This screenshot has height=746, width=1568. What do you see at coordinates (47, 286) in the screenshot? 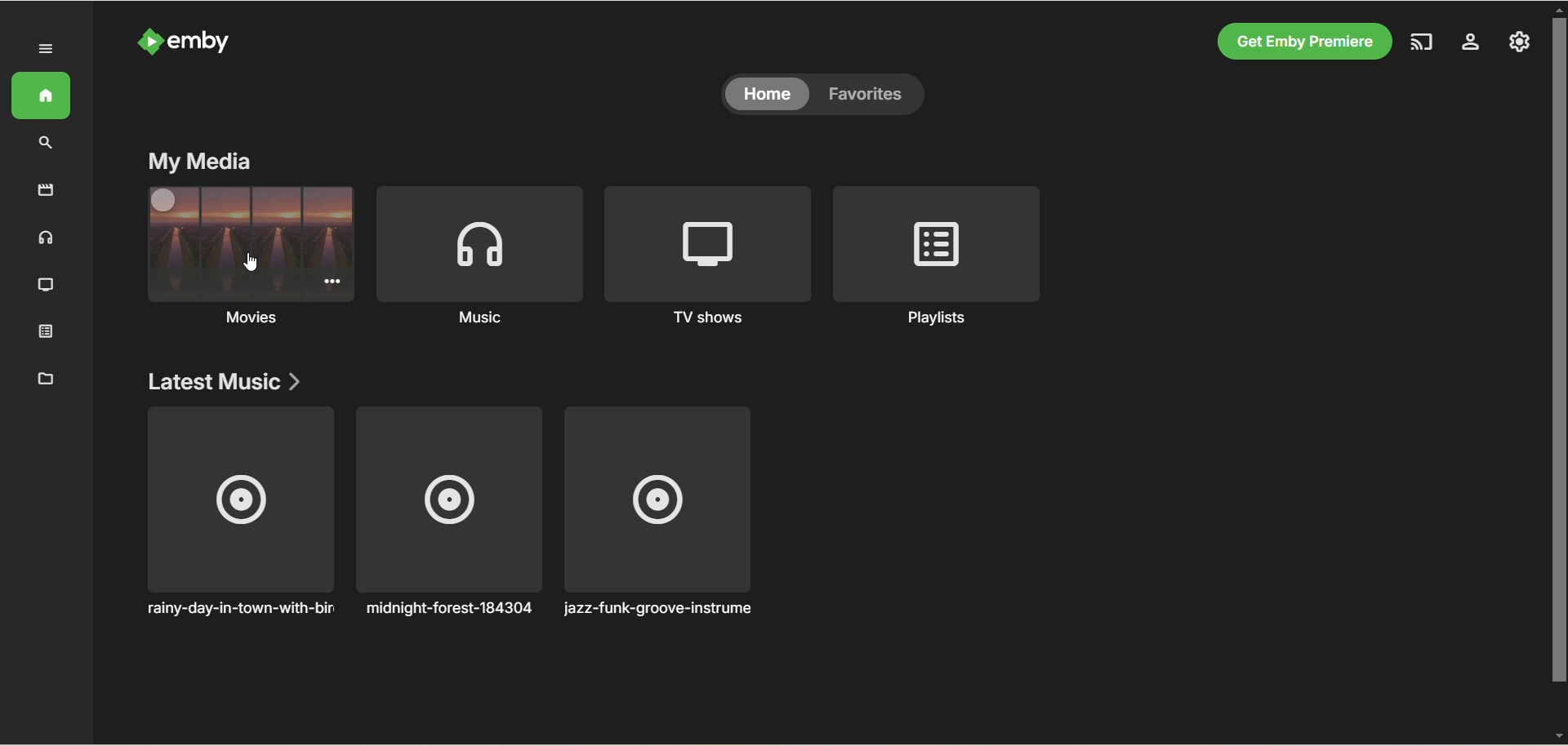
I see `TV shows` at bounding box center [47, 286].